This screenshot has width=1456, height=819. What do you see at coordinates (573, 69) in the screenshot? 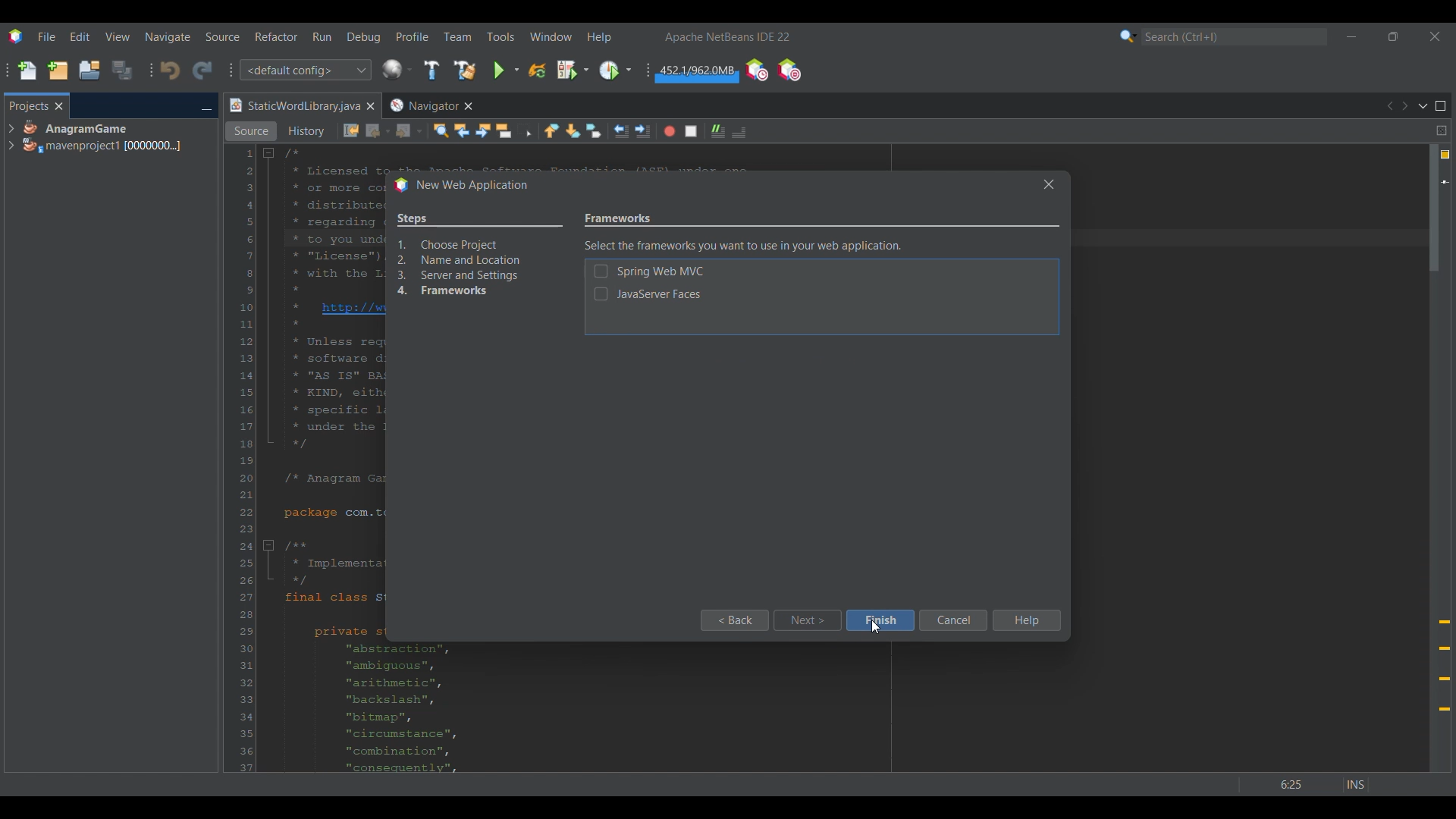
I see `Debug main project options` at bounding box center [573, 69].